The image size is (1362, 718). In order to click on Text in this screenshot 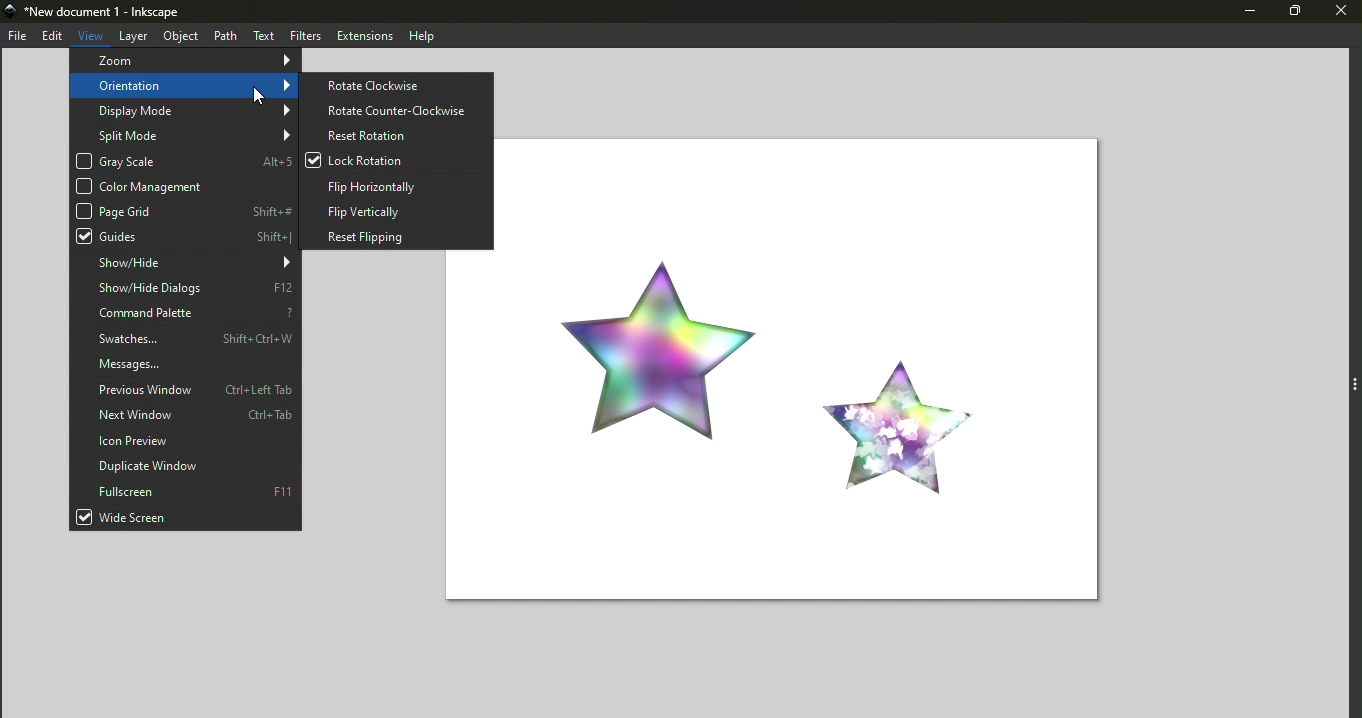, I will do `click(264, 35)`.